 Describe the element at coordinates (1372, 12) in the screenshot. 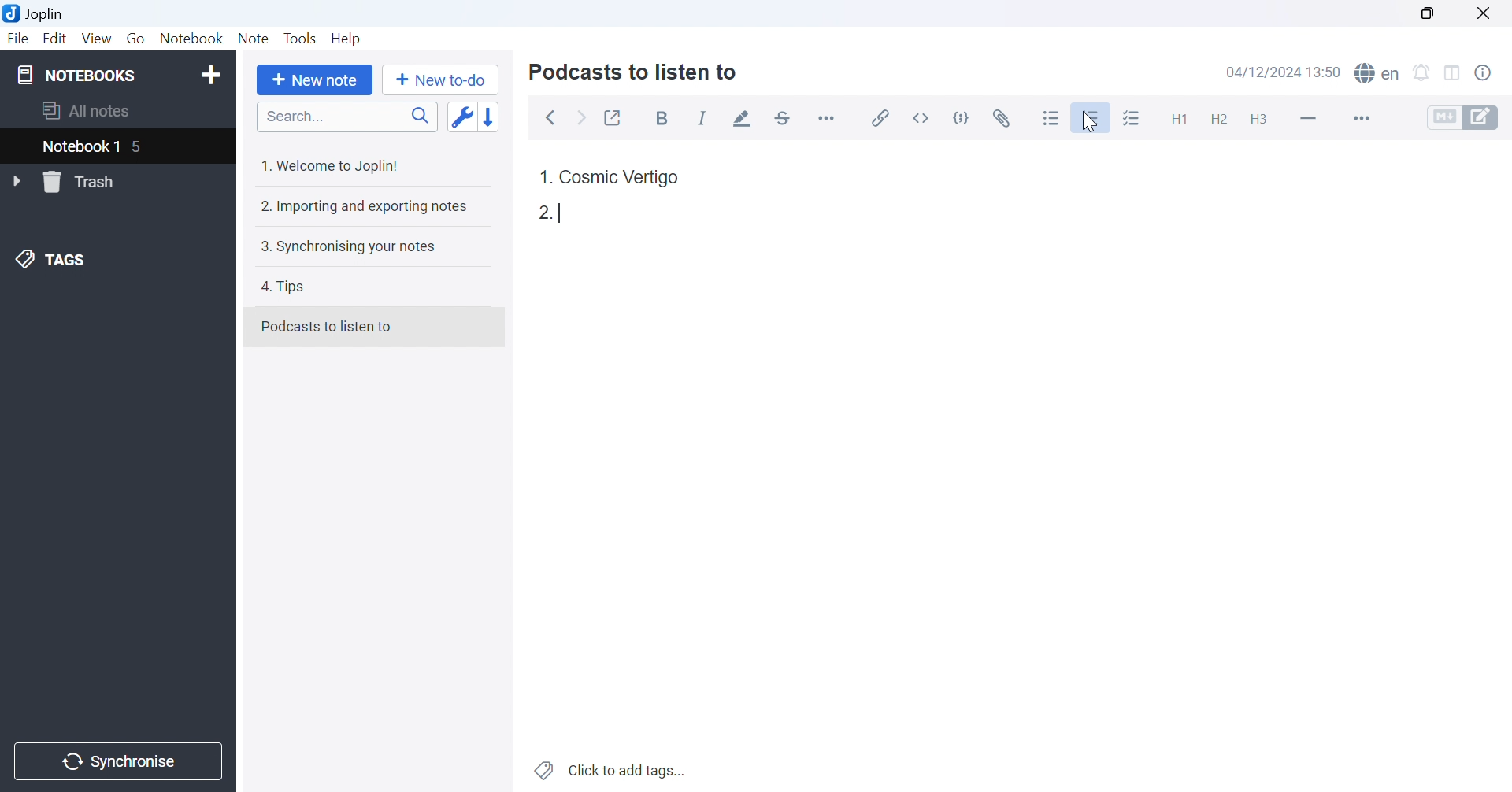

I see `Minimize` at that location.